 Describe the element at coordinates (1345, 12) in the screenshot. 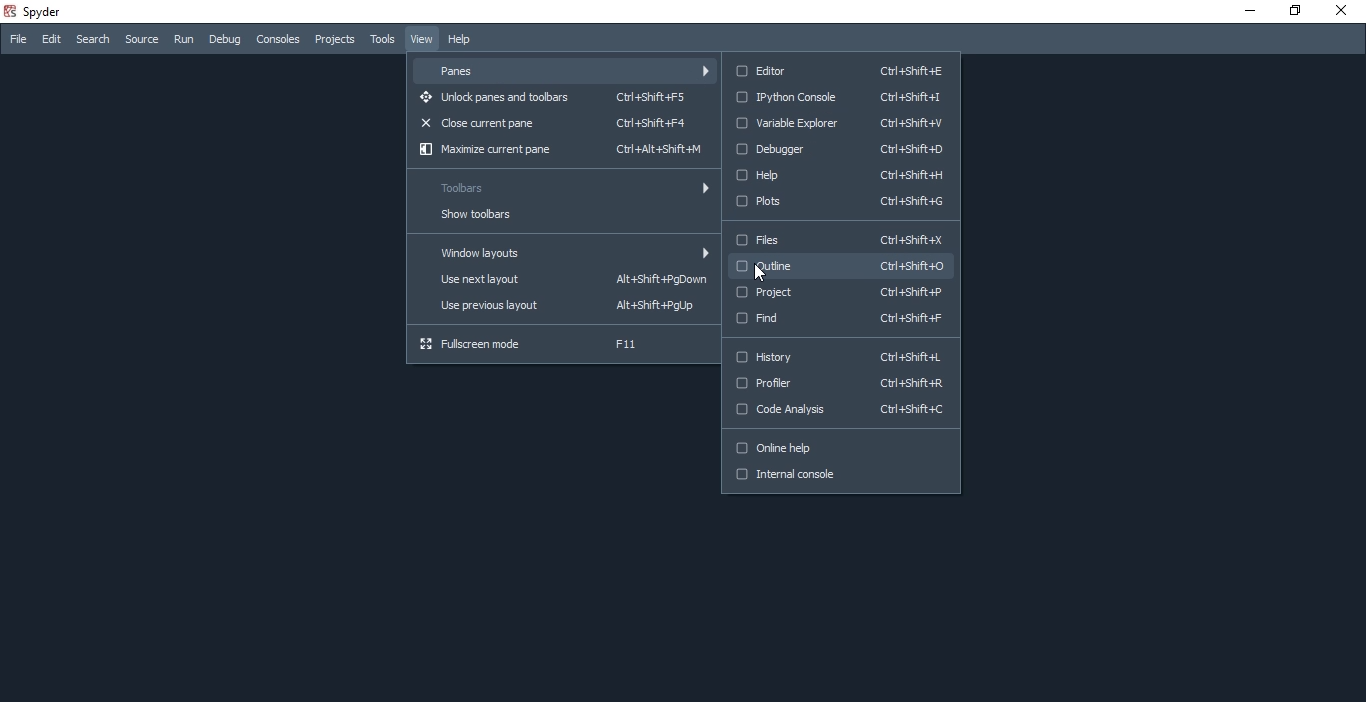

I see `close` at that location.